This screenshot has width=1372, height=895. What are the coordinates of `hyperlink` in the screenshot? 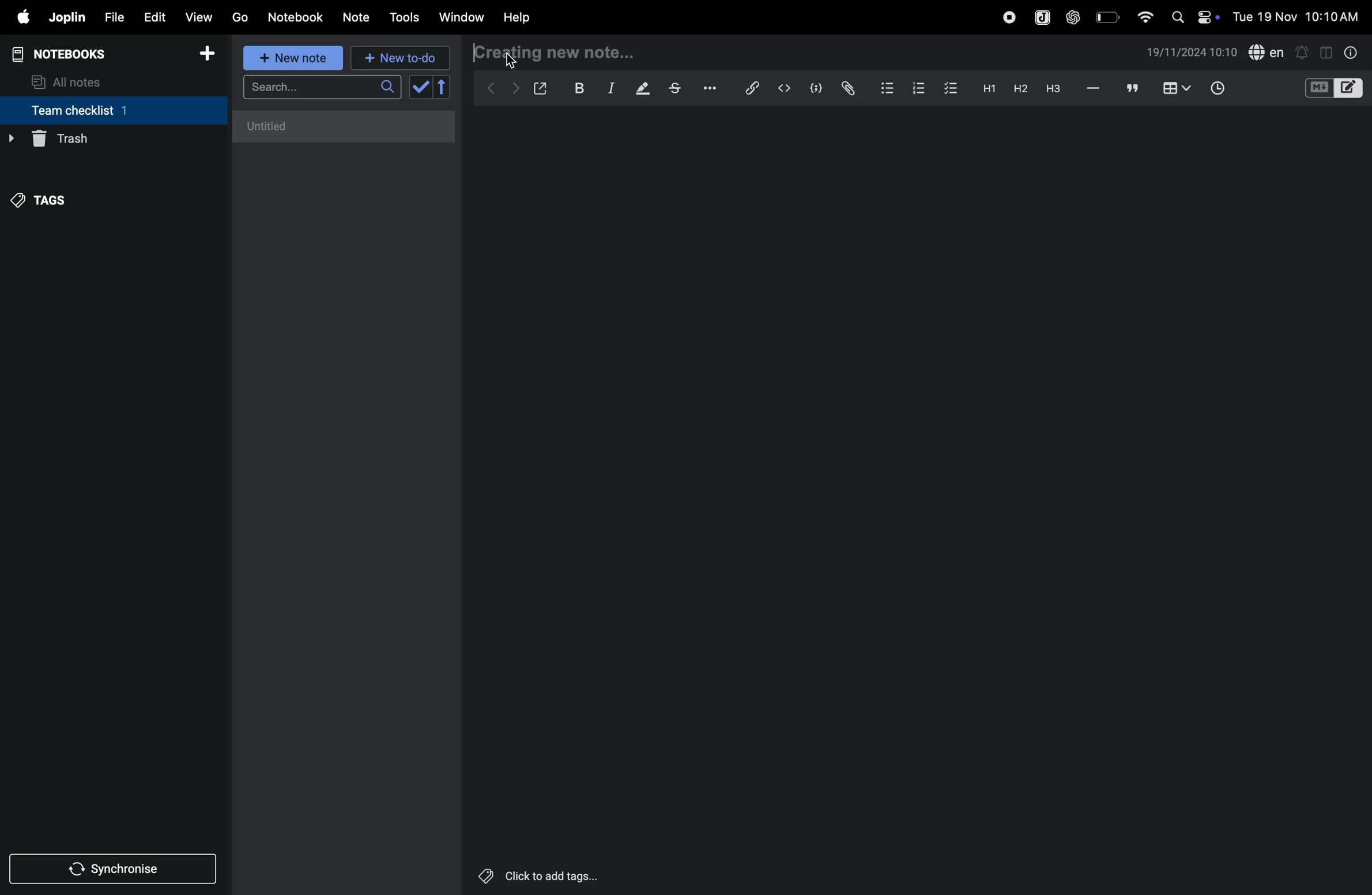 It's located at (747, 87).